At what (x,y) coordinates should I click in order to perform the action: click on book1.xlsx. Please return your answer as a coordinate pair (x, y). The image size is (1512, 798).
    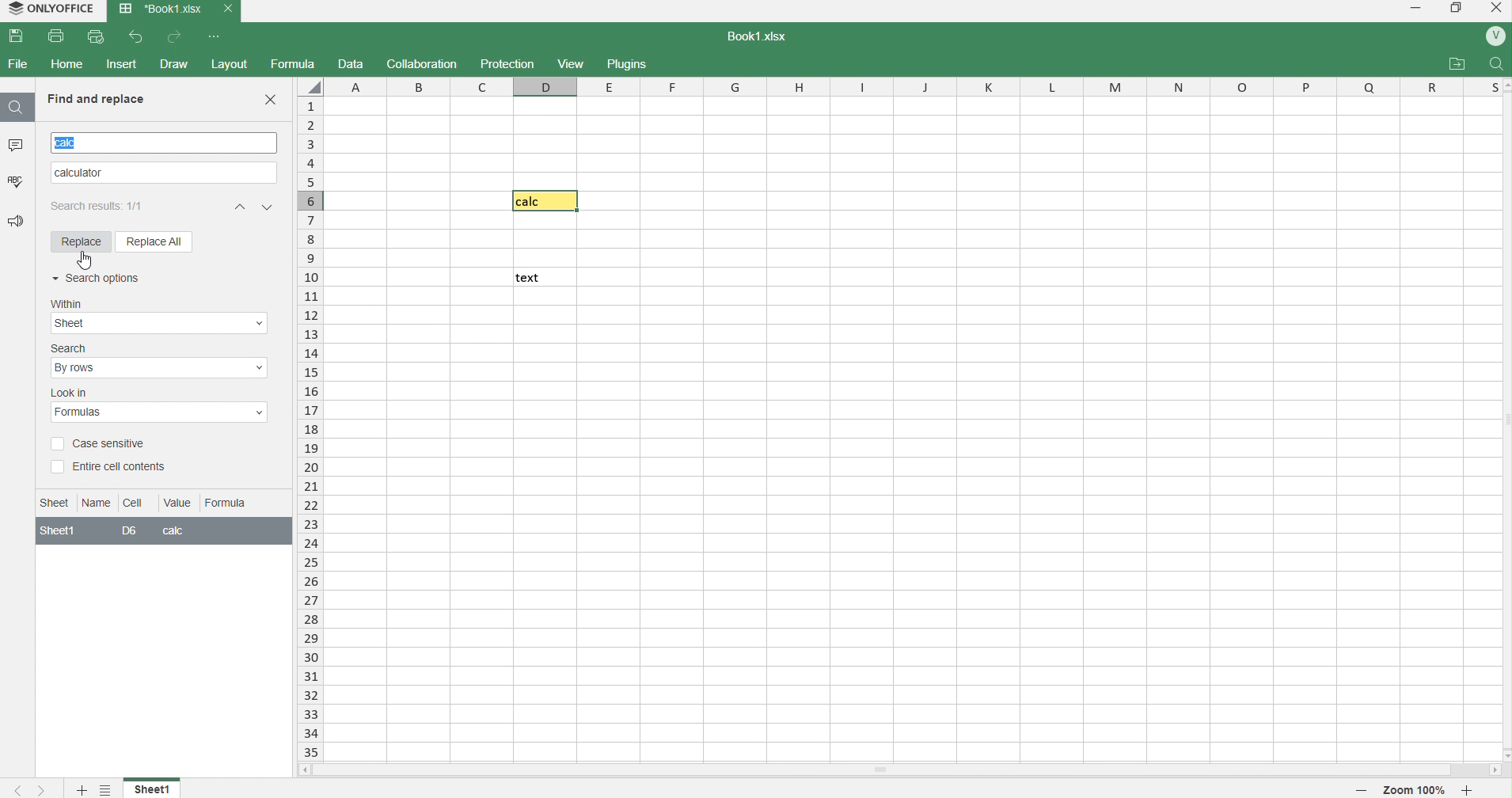
    Looking at the image, I should click on (757, 37).